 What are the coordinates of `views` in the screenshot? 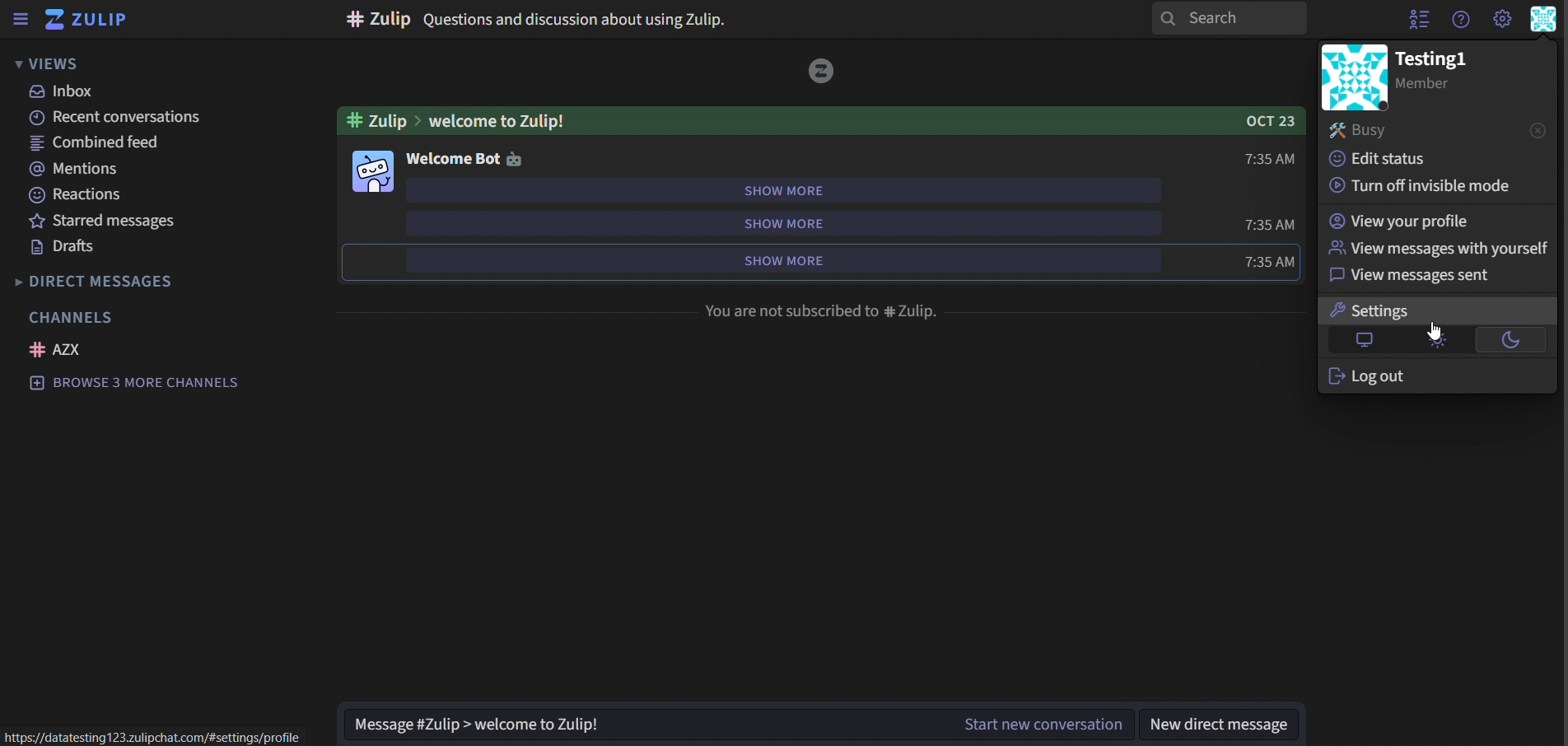 It's located at (49, 64).